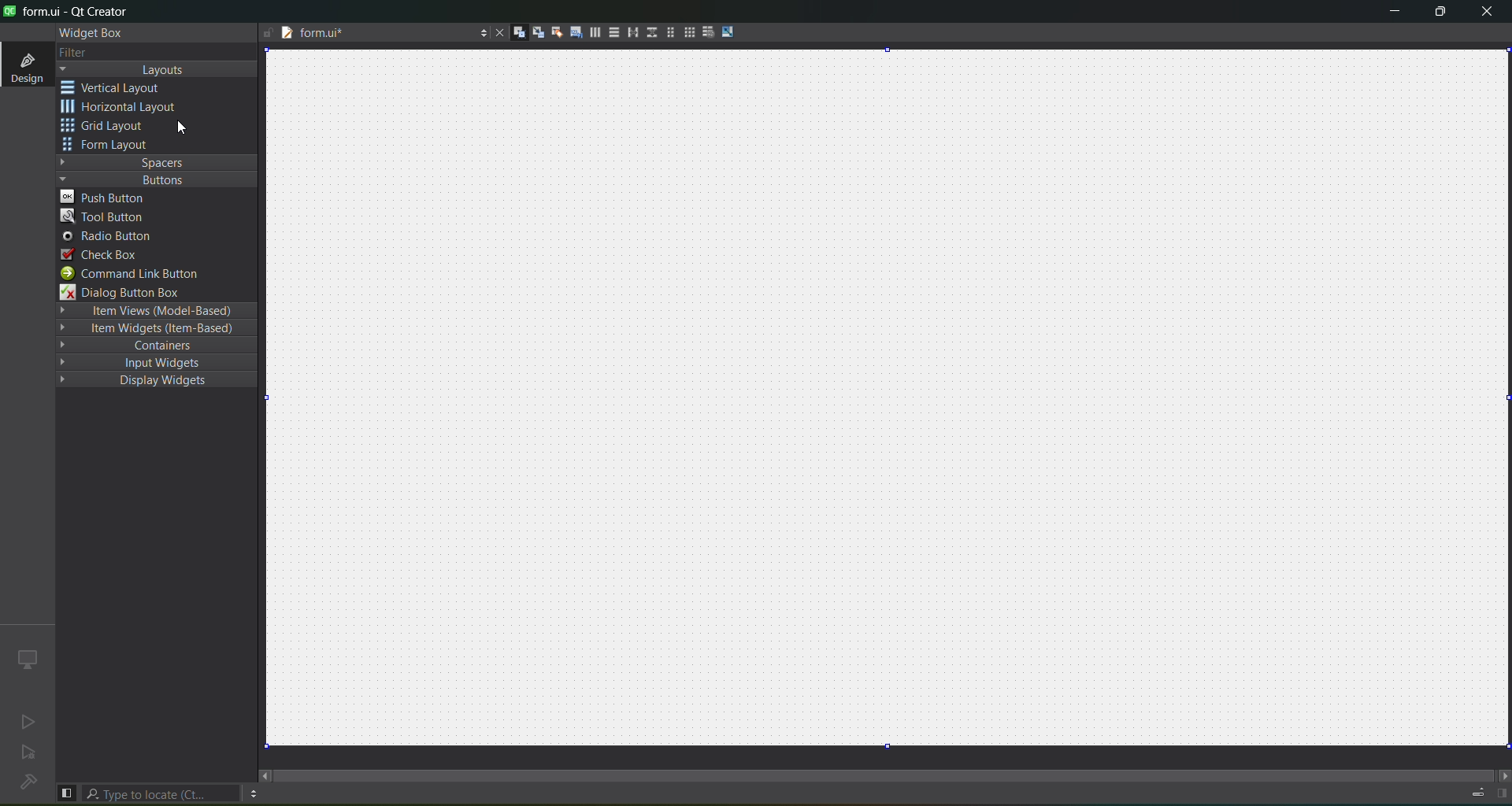 Image resolution: width=1512 pixels, height=806 pixels. What do you see at coordinates (538, 35) in the screenshot?
I see `edit signals` at bounding box center [538, 35].